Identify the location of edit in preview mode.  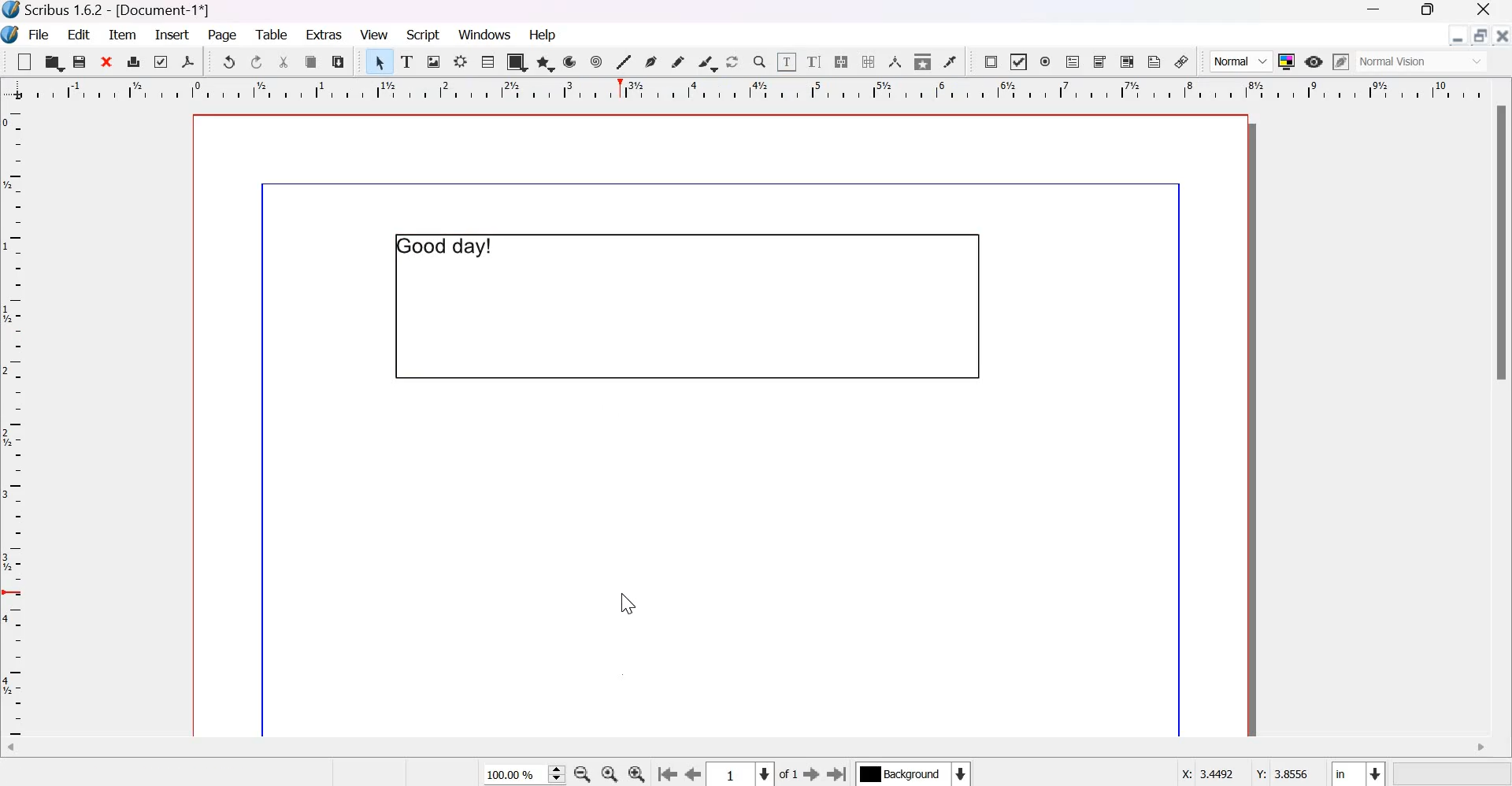
(1341, 61).